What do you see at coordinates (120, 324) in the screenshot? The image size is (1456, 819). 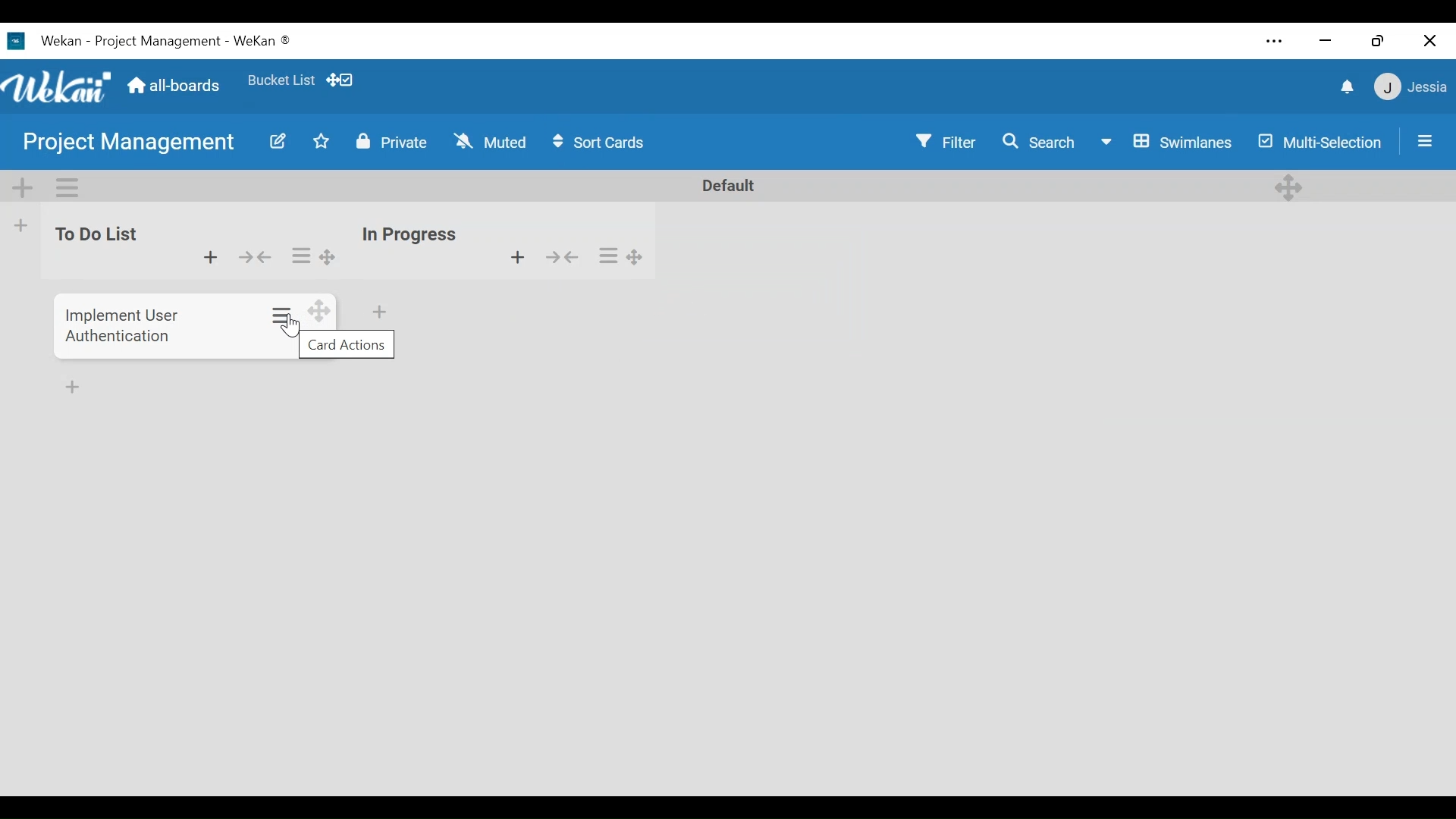 I see `Card` at bounding box center [120, 324].